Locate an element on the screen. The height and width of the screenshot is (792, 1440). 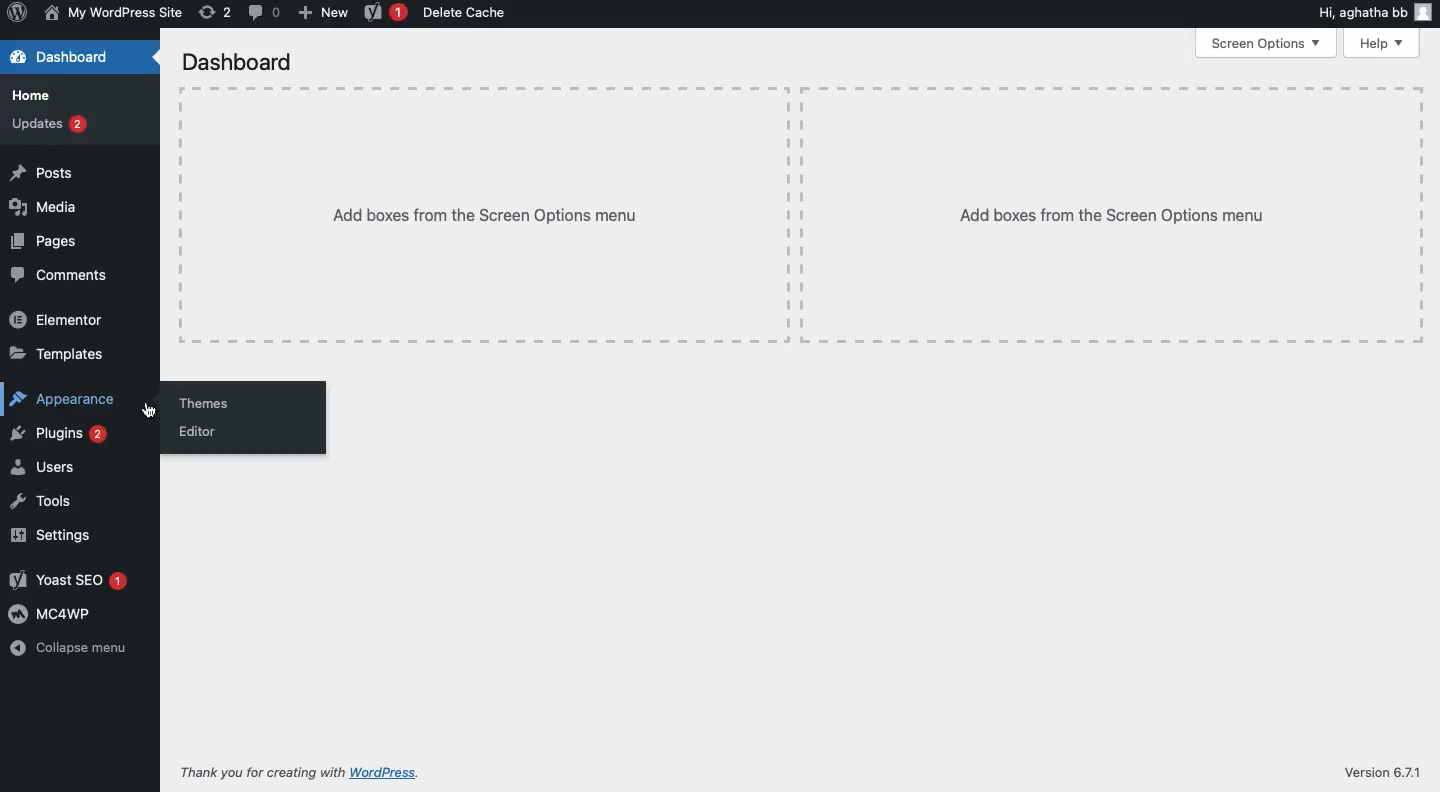
Version 6.71 is located at coordinates (1382, 774).